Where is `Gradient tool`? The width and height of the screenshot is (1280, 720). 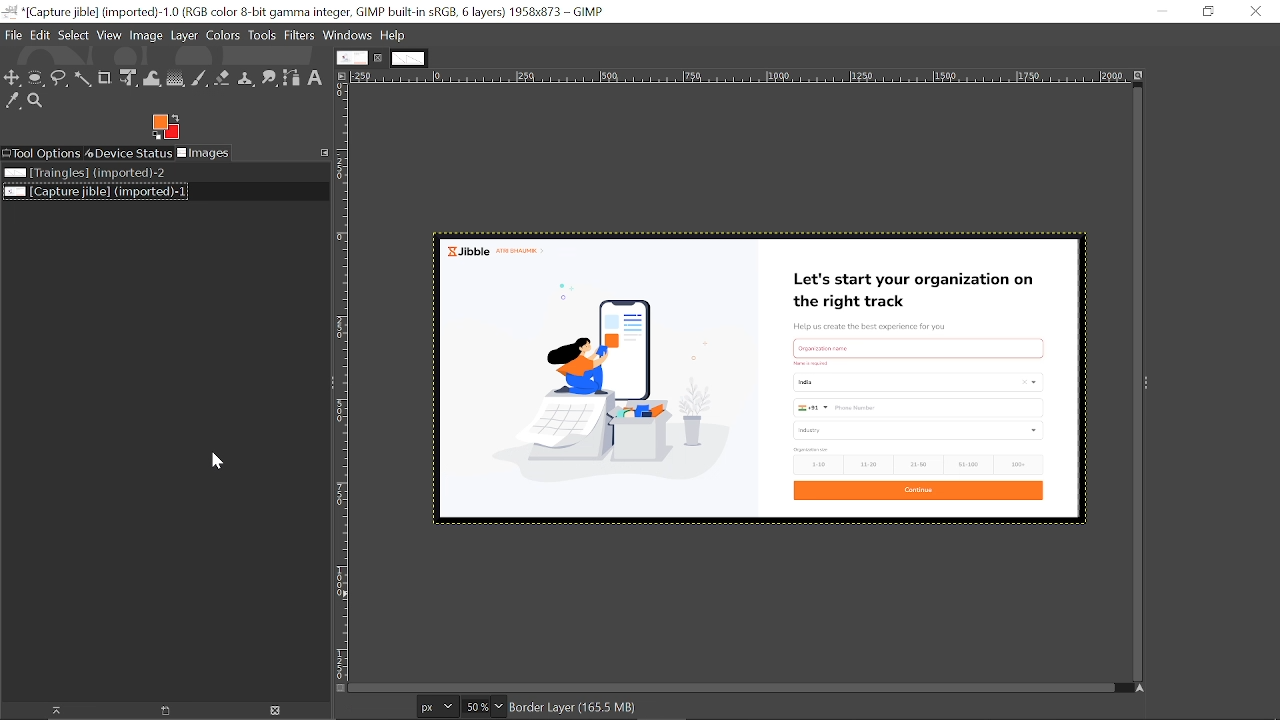 Gradient tool is located at coordinates (176, 78).